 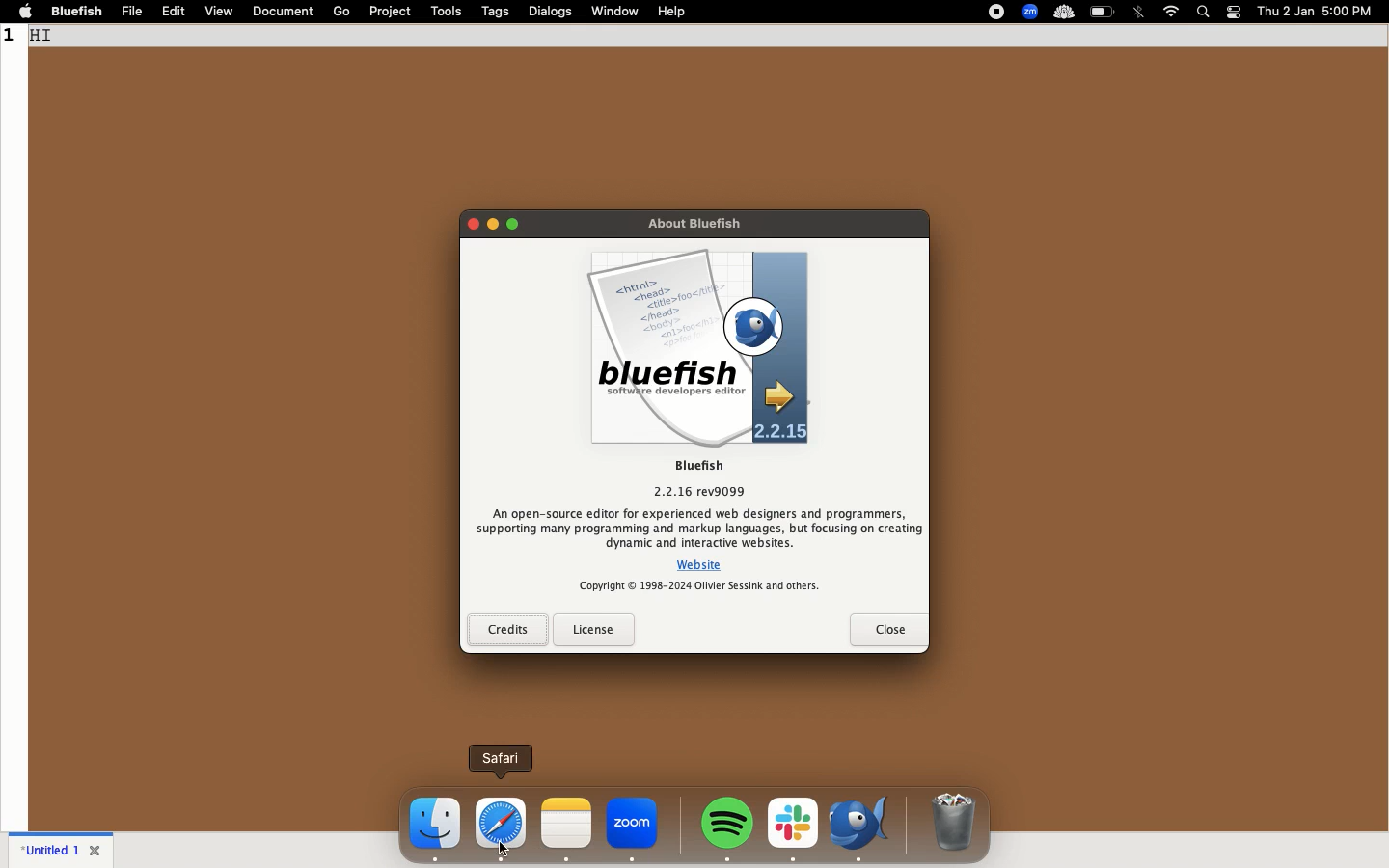 What do you see at coordinates (888, 628) in the screenshot?
I see `close` at bounding box center [888, 628].